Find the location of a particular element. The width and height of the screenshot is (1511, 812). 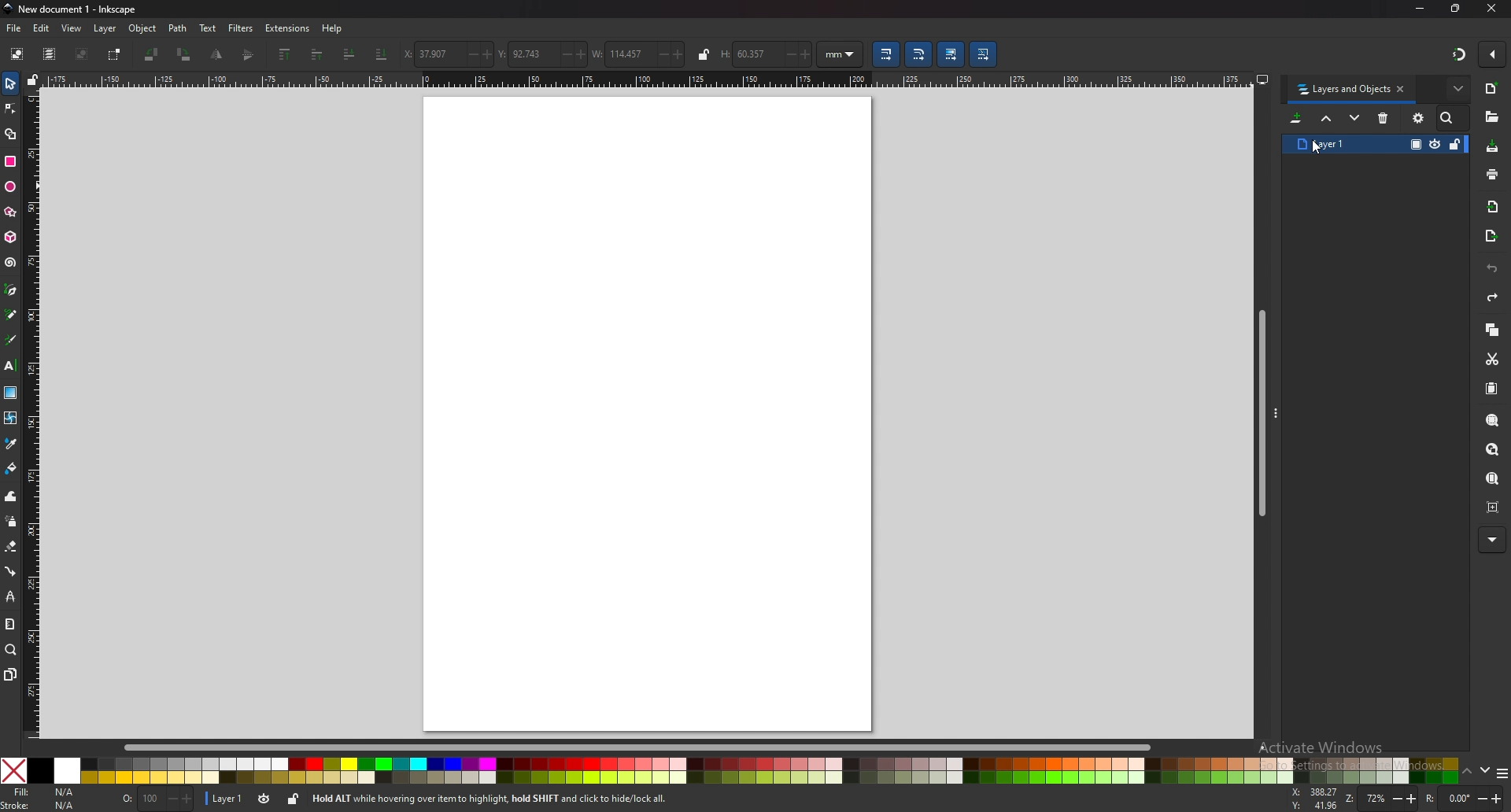

layers and objects is located at coordinates (1343, 90).